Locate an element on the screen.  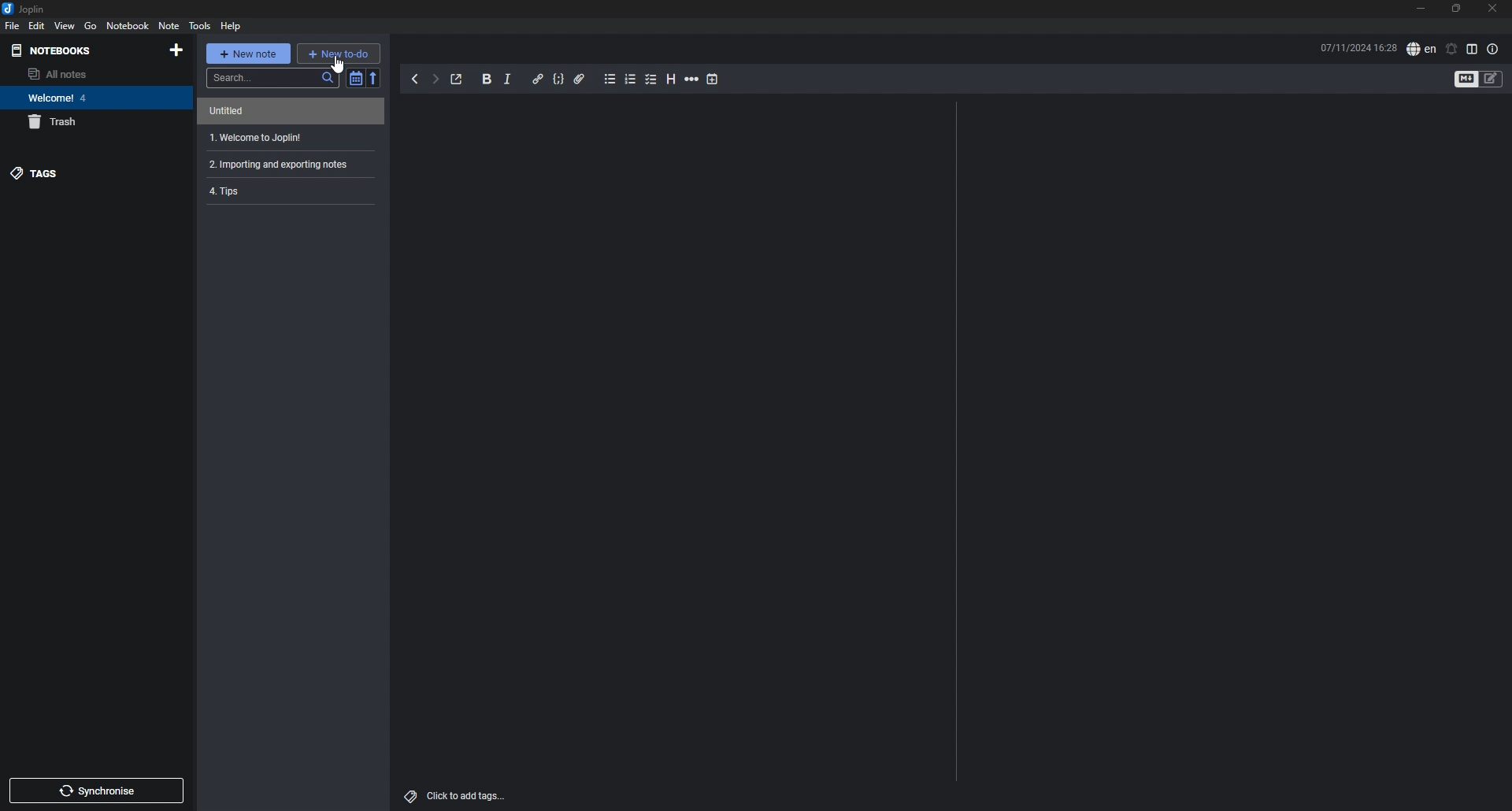
note is located at coordinates (292, 164).